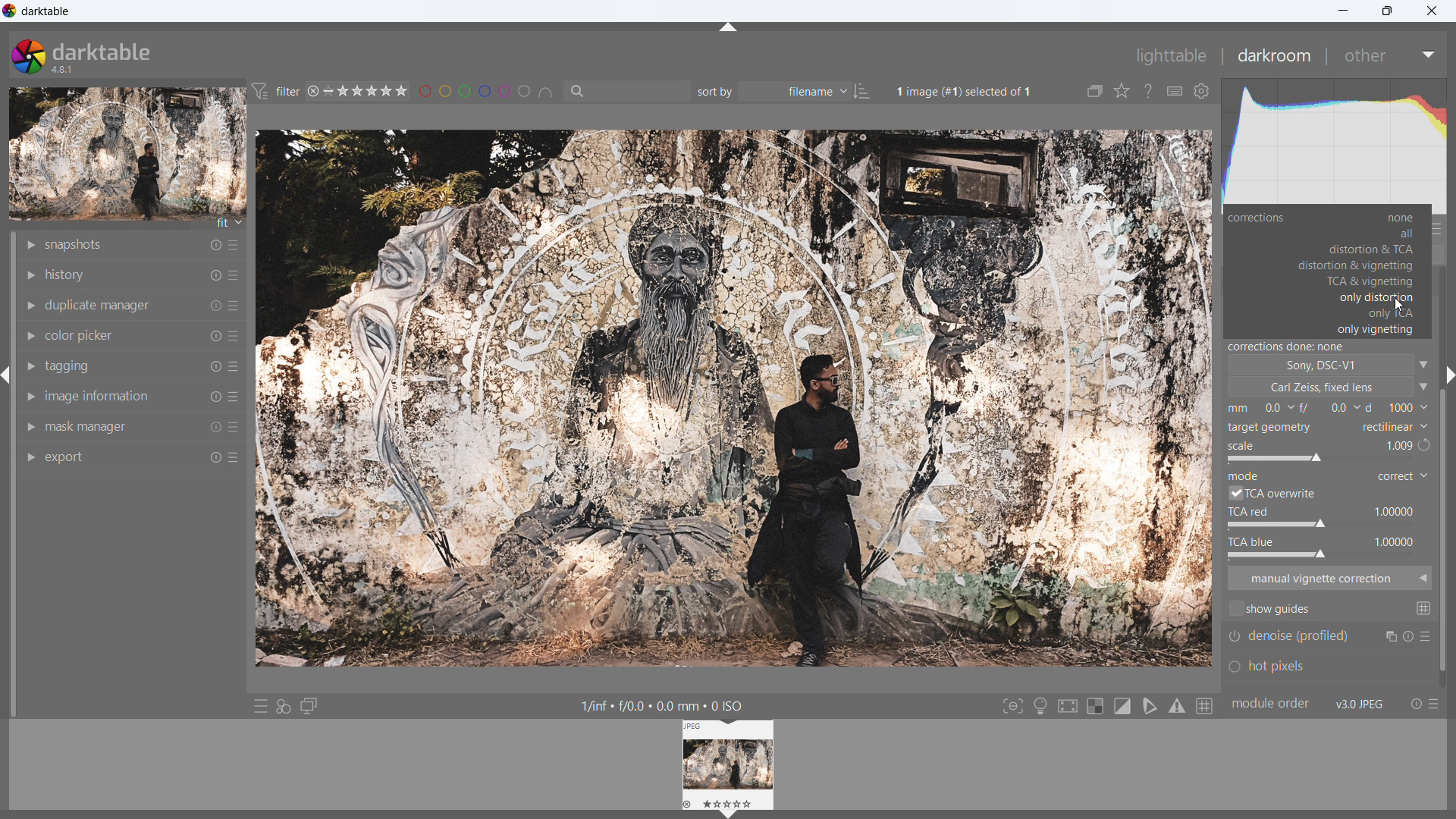 This screenshot has height=819, width=1456. Describe the element at coordinates (485, 92) in the screenshot. I see `filter images by color level` at that location.